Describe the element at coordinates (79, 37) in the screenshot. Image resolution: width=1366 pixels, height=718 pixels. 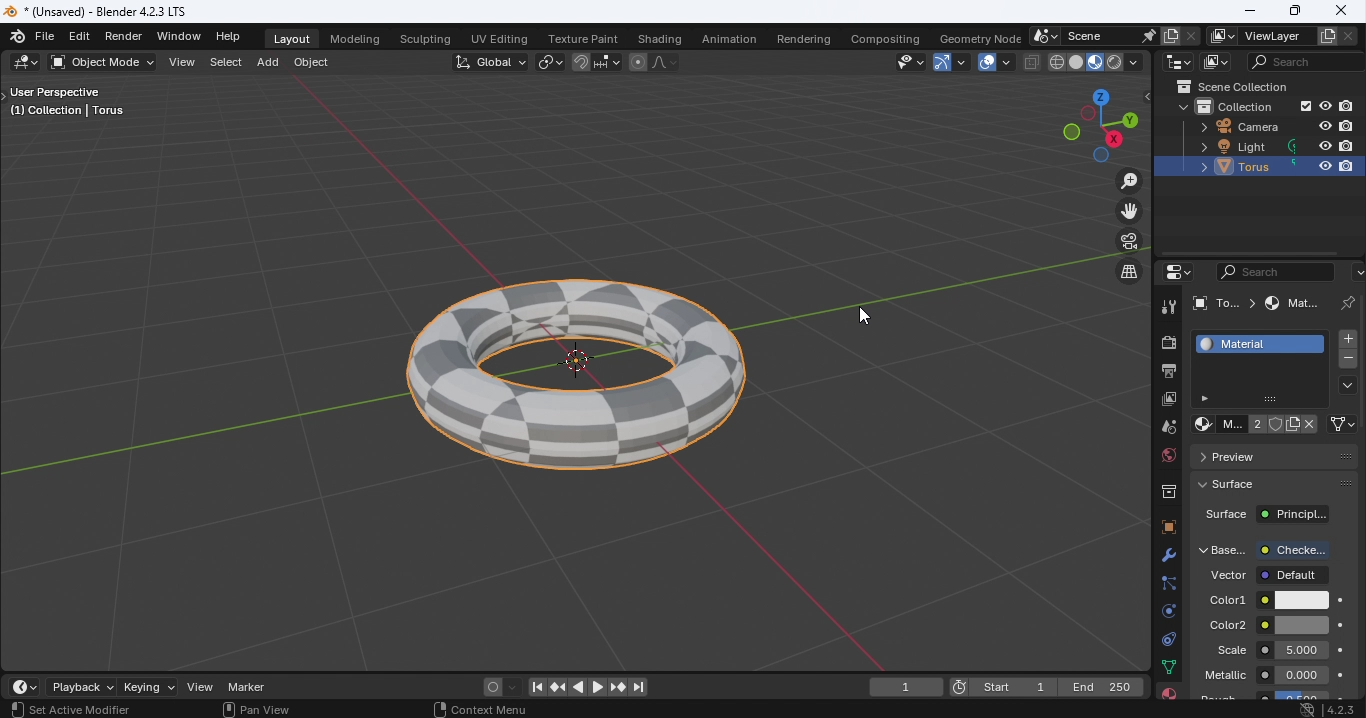
I see `Edit` at that location.